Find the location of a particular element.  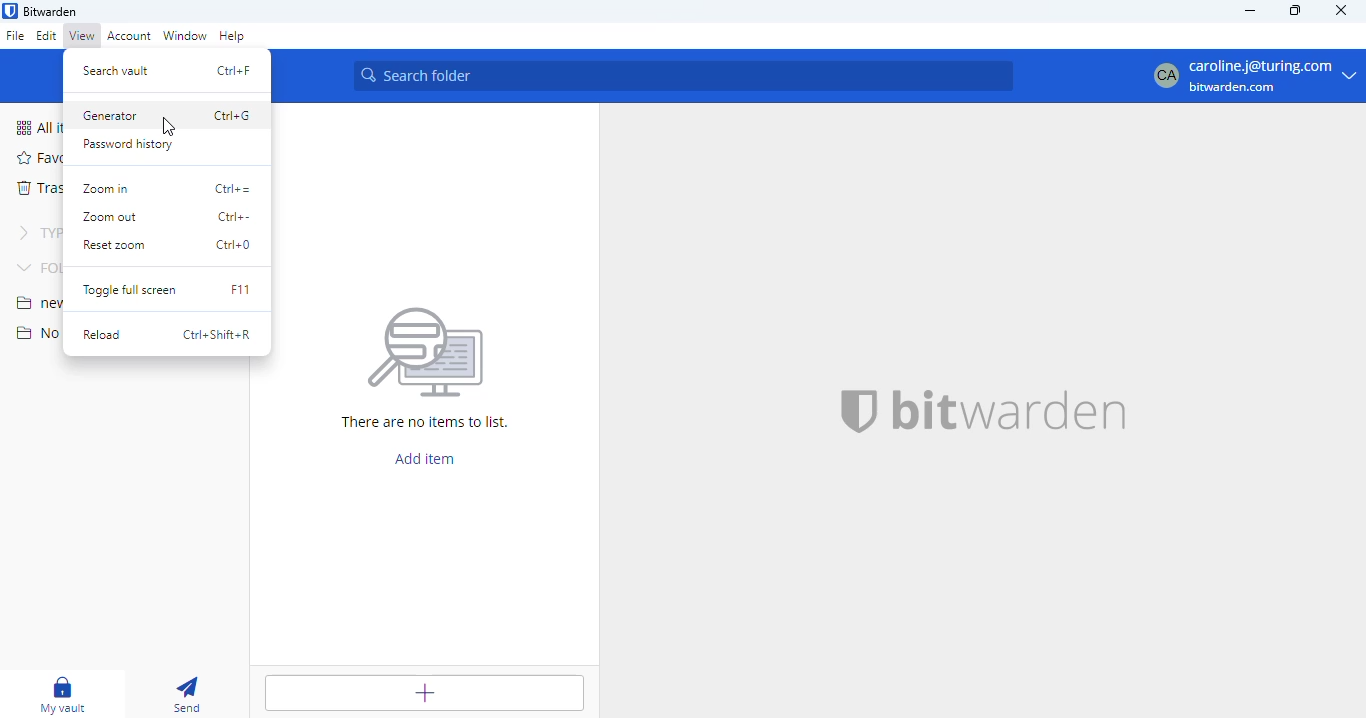

zoom out is located at coordinates (108, 216).